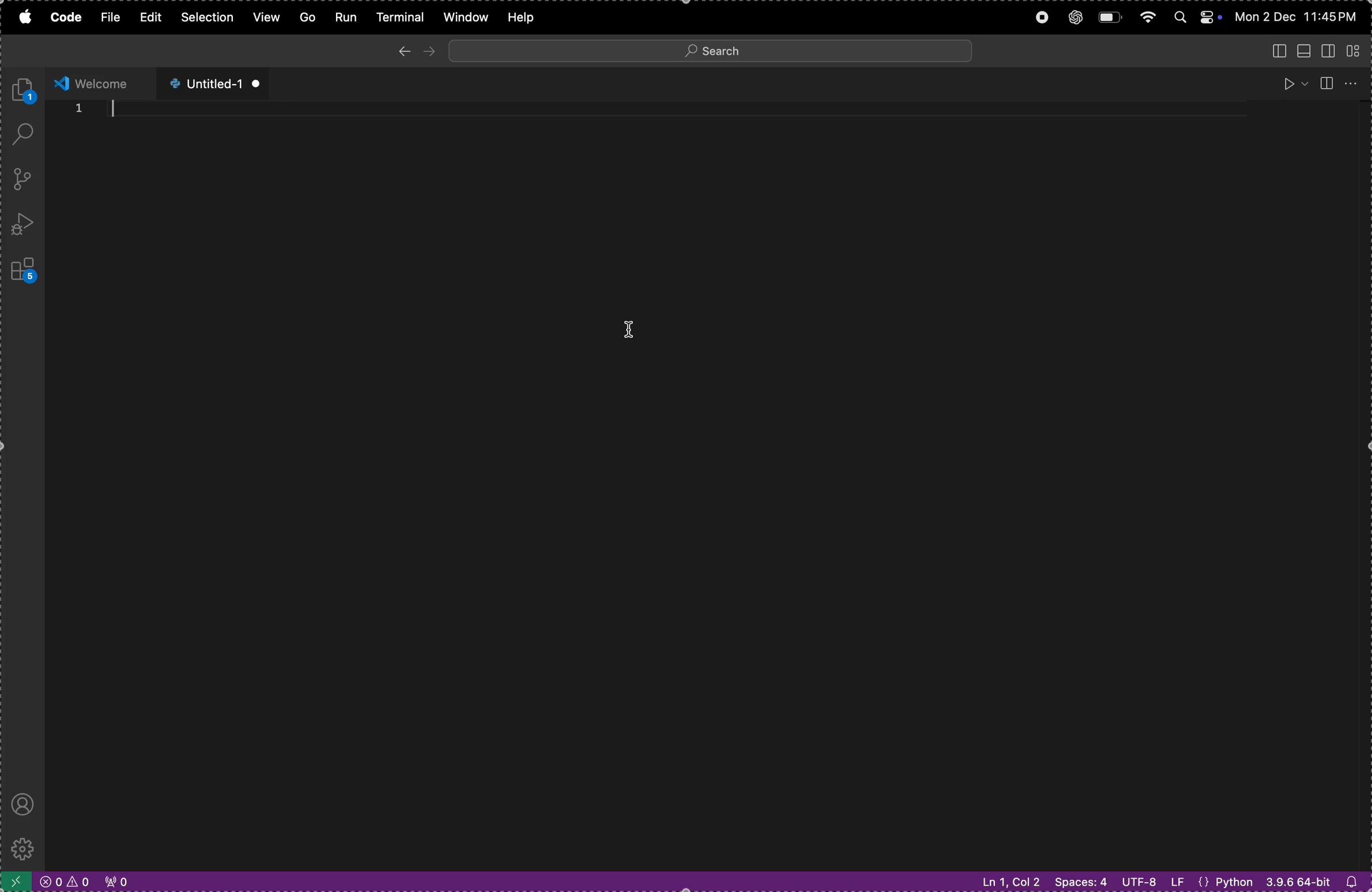 The height and width of the screenshot is (892, 1372). I want to click on un titled, so click(209, 84).